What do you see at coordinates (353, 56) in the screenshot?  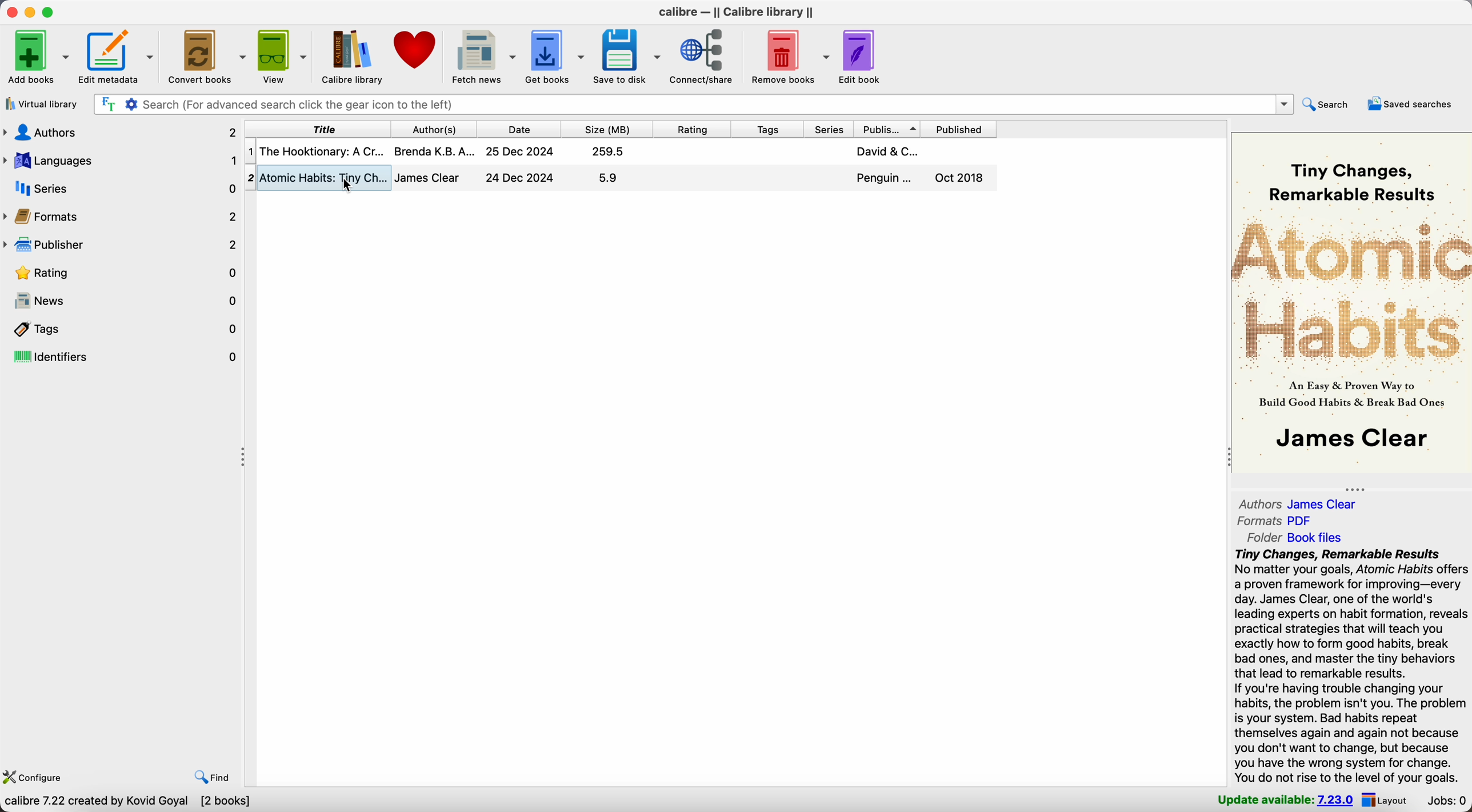 I see `Calibre library` at bounding box center [353, 56].